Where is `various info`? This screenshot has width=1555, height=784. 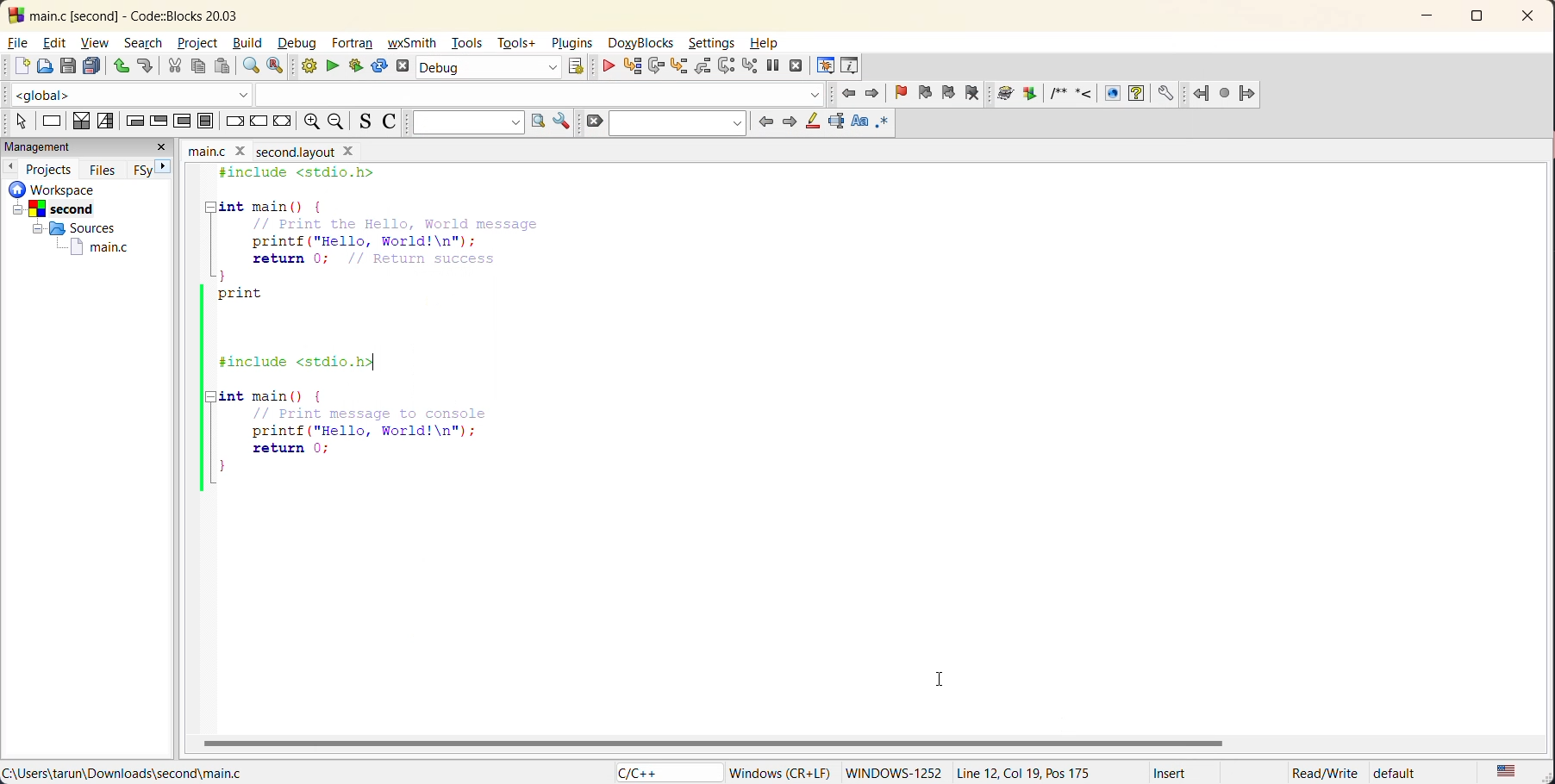 various info is located at coordinates (850, 67).